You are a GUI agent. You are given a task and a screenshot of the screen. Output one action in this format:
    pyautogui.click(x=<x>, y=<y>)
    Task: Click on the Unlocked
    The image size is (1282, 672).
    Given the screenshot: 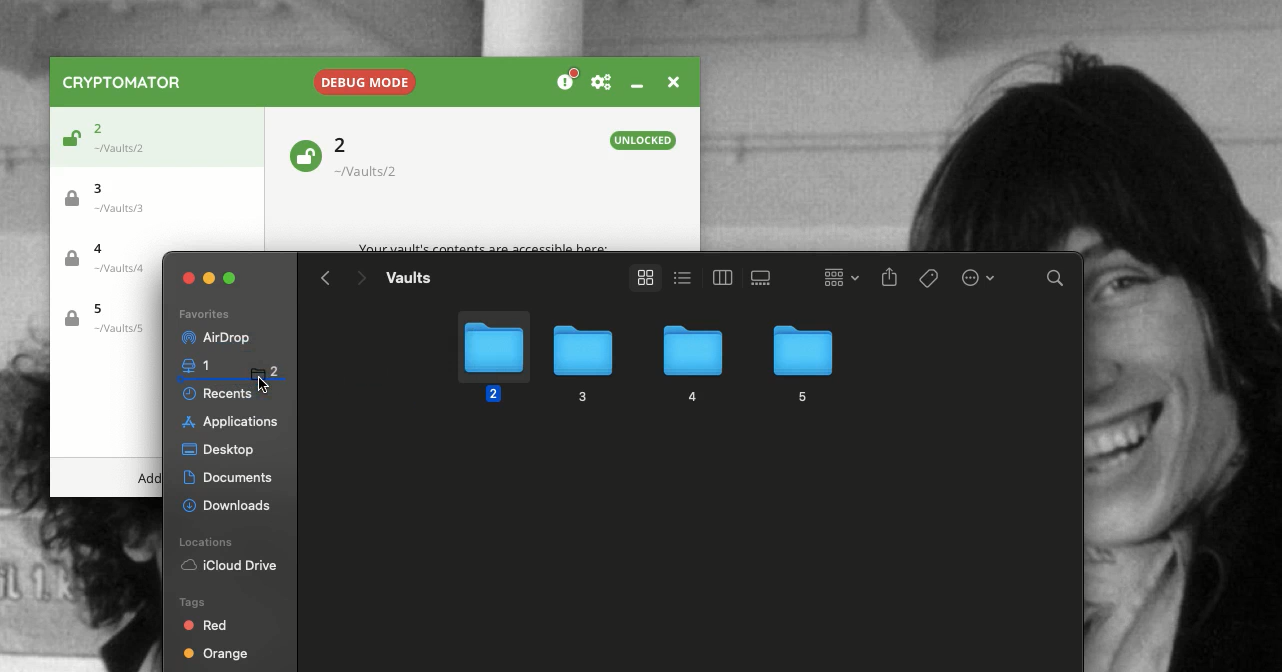 What is the action you would take?
    pyautogui.click(x=68, y=141)
    